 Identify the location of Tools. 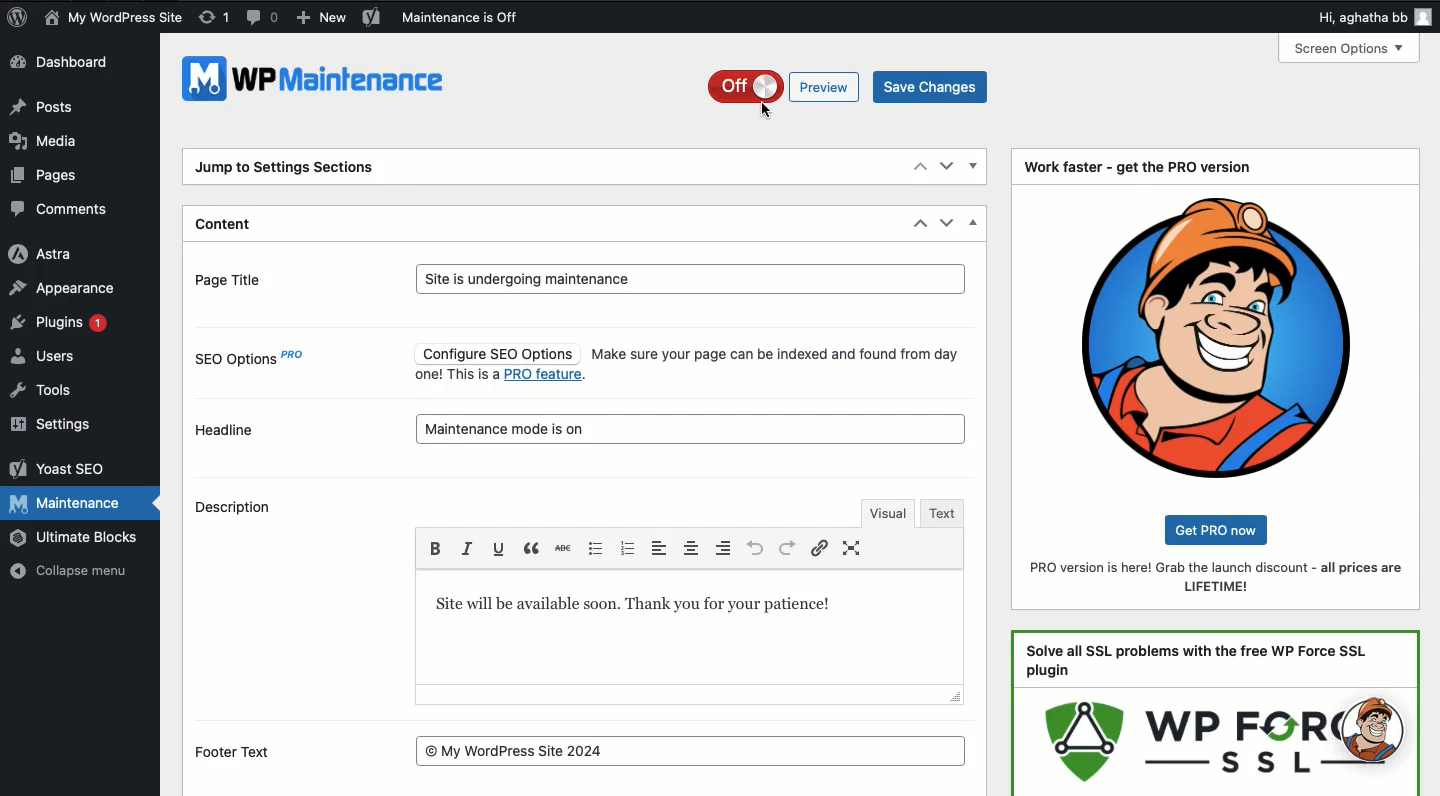
(42, 392).